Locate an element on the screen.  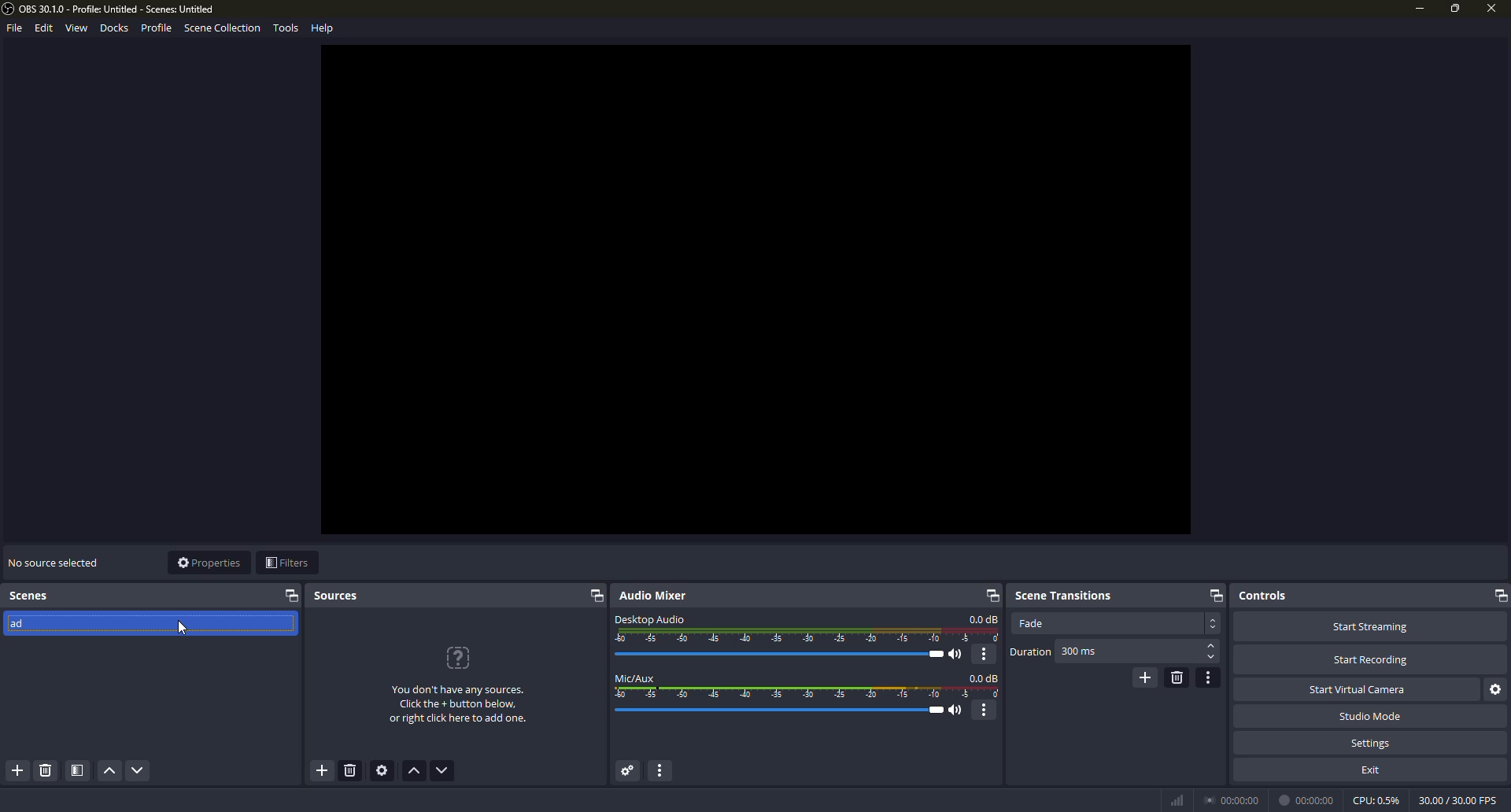
obs profile is located at coordinates (112, 9).